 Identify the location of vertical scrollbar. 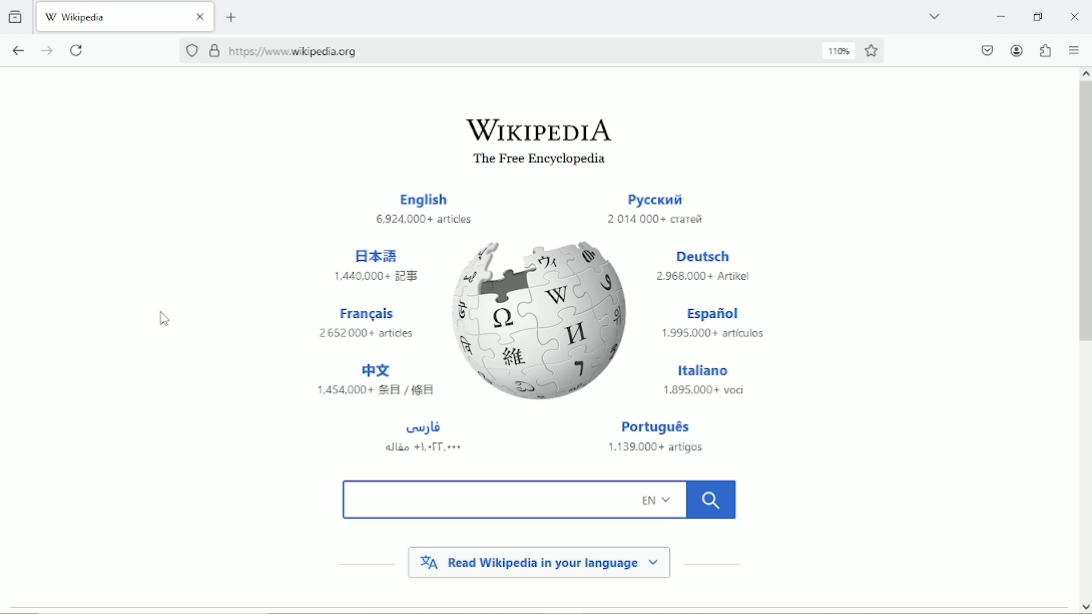
(1083, 211).